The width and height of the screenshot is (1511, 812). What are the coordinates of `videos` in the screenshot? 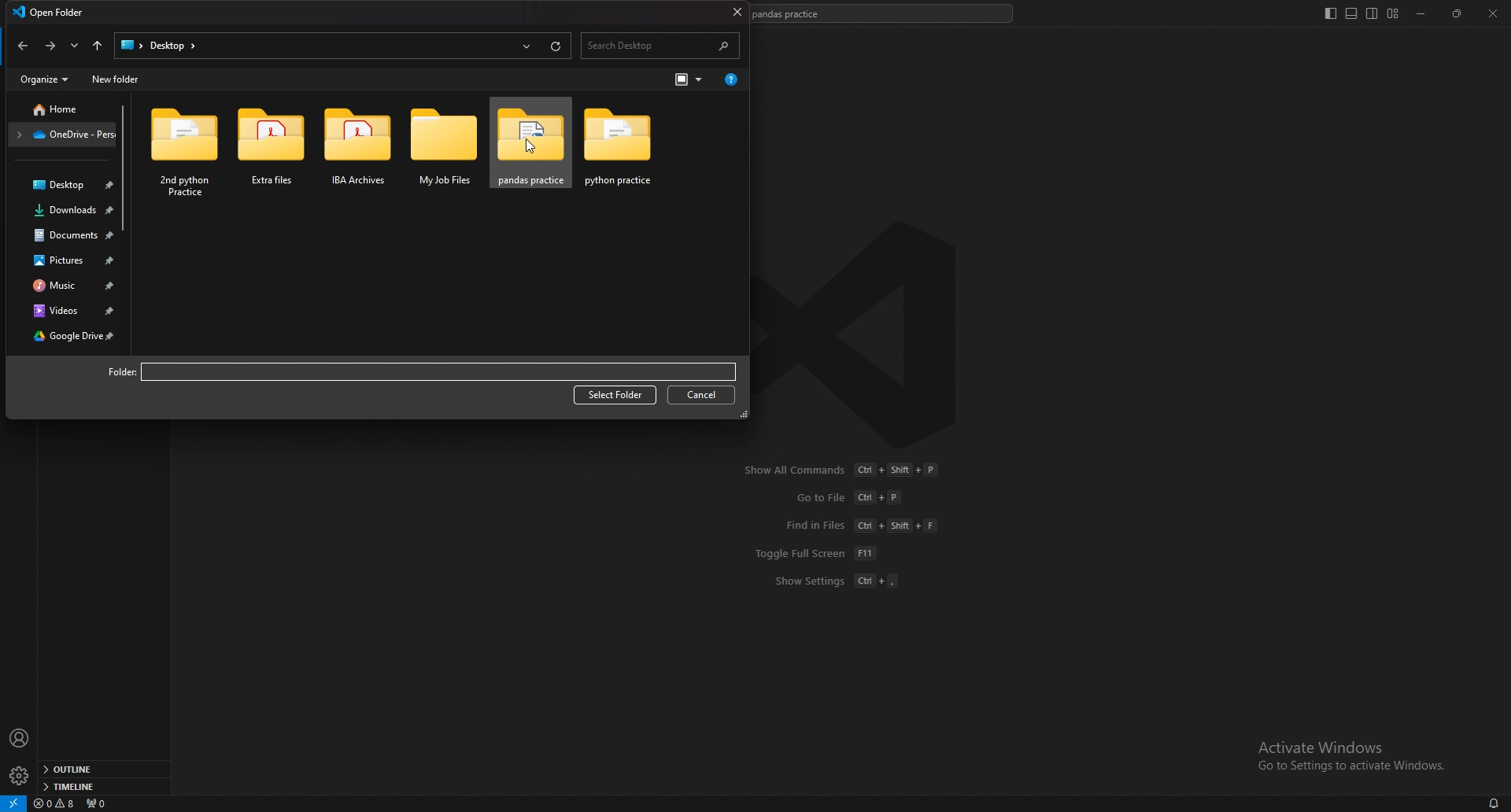 It's located at (69, 310).